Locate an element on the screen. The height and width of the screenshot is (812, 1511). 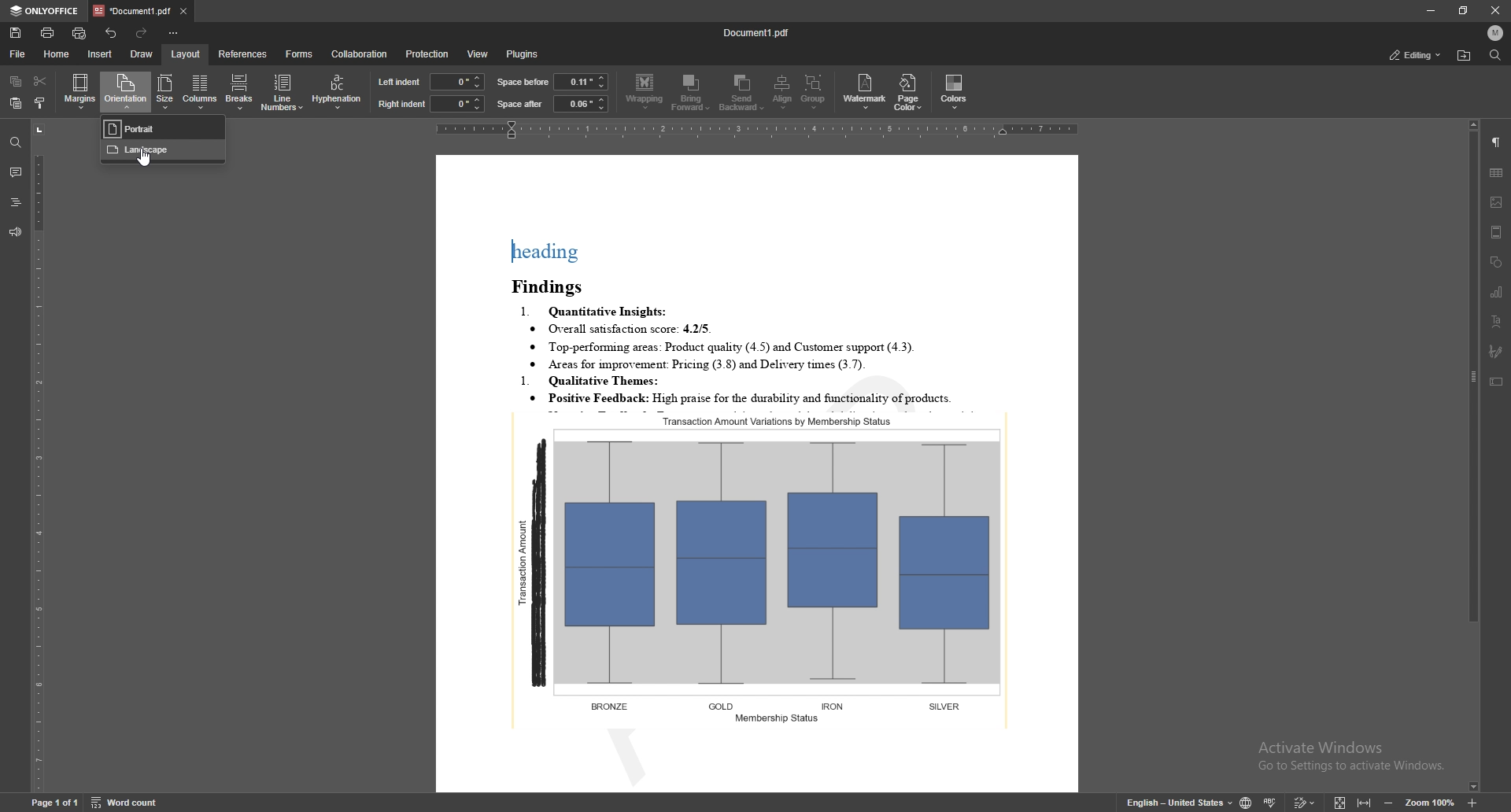
plugins is located at coordinates (526, 54).